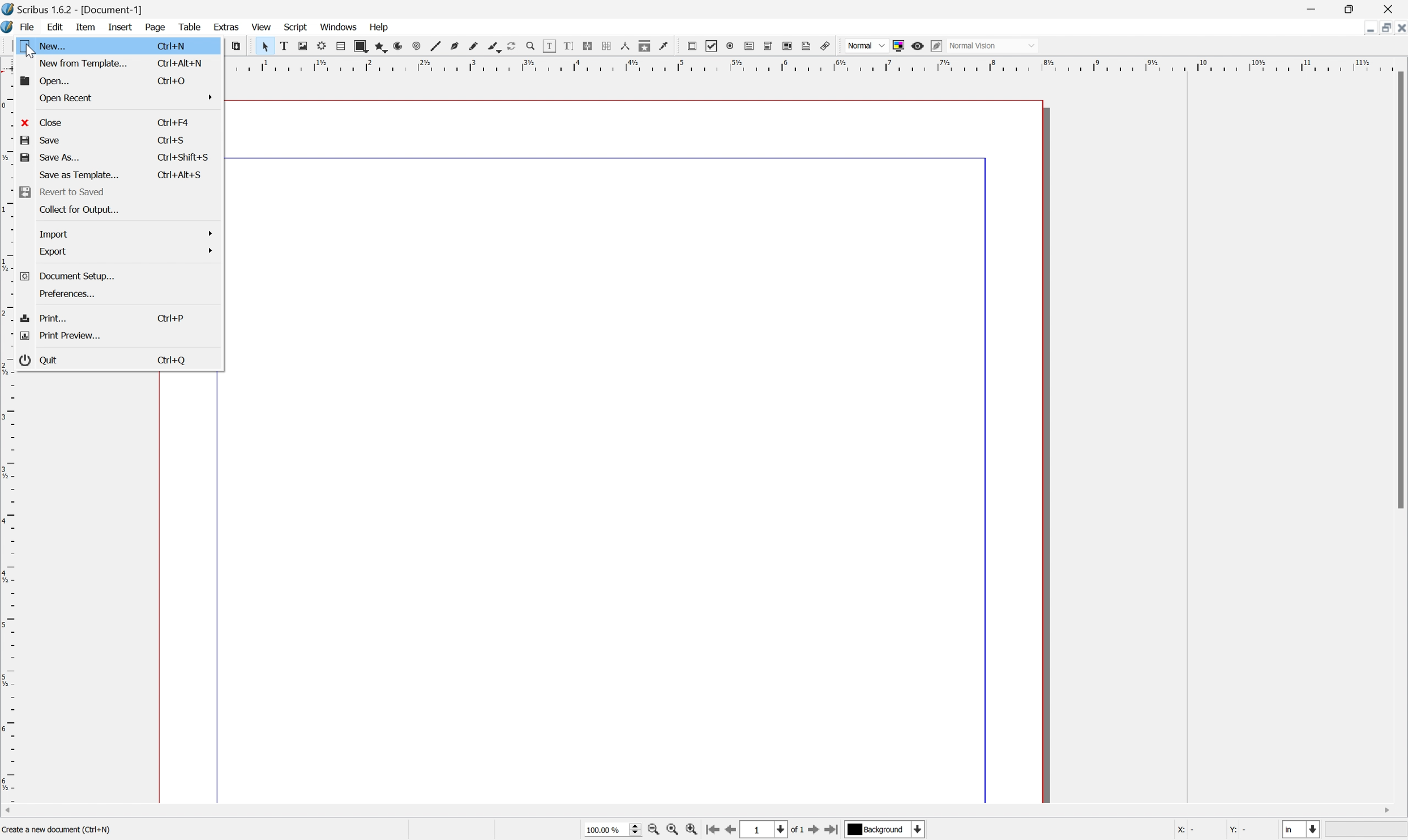 This screenshot has width=1408, height=840. What do you see at coordinates (1360, 27) in the screenshot?
I see `Minimize` at bounding box center [1360, 27].